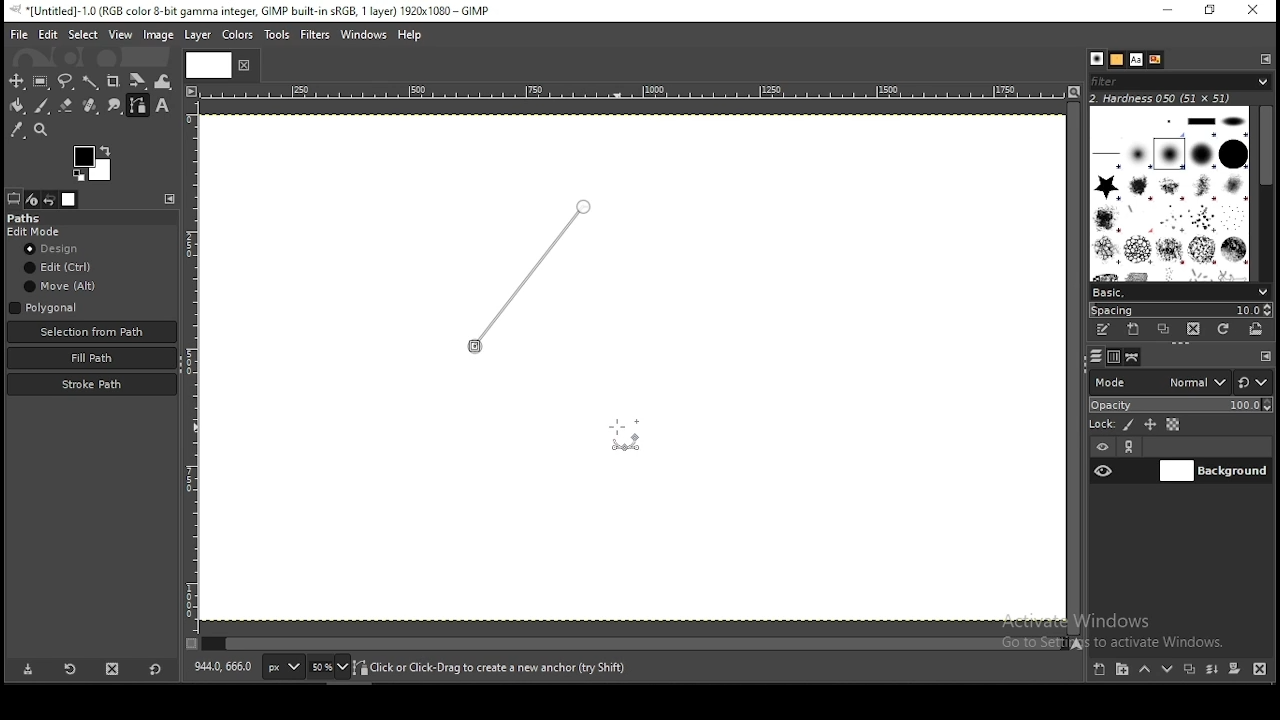 The image size is (1280, 720). Describe the element at coordinates (1150, 424) in the screenshot. I see `lock position and size` at that location.